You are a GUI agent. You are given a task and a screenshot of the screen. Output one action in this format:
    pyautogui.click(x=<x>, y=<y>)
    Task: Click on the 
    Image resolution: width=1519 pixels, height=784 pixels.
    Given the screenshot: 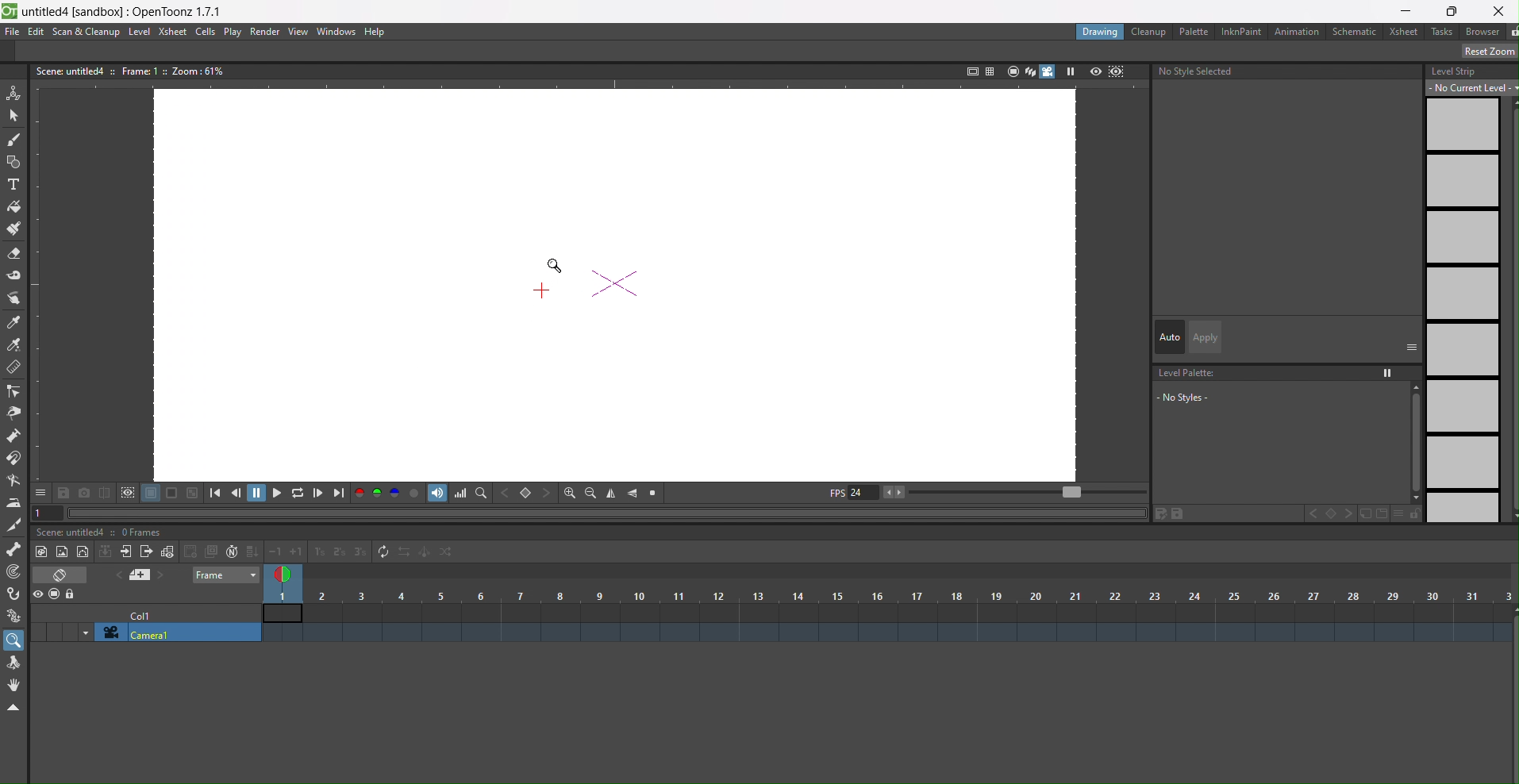 What is the action you would take?
    pyautogui.click(x=14, y=662)
    